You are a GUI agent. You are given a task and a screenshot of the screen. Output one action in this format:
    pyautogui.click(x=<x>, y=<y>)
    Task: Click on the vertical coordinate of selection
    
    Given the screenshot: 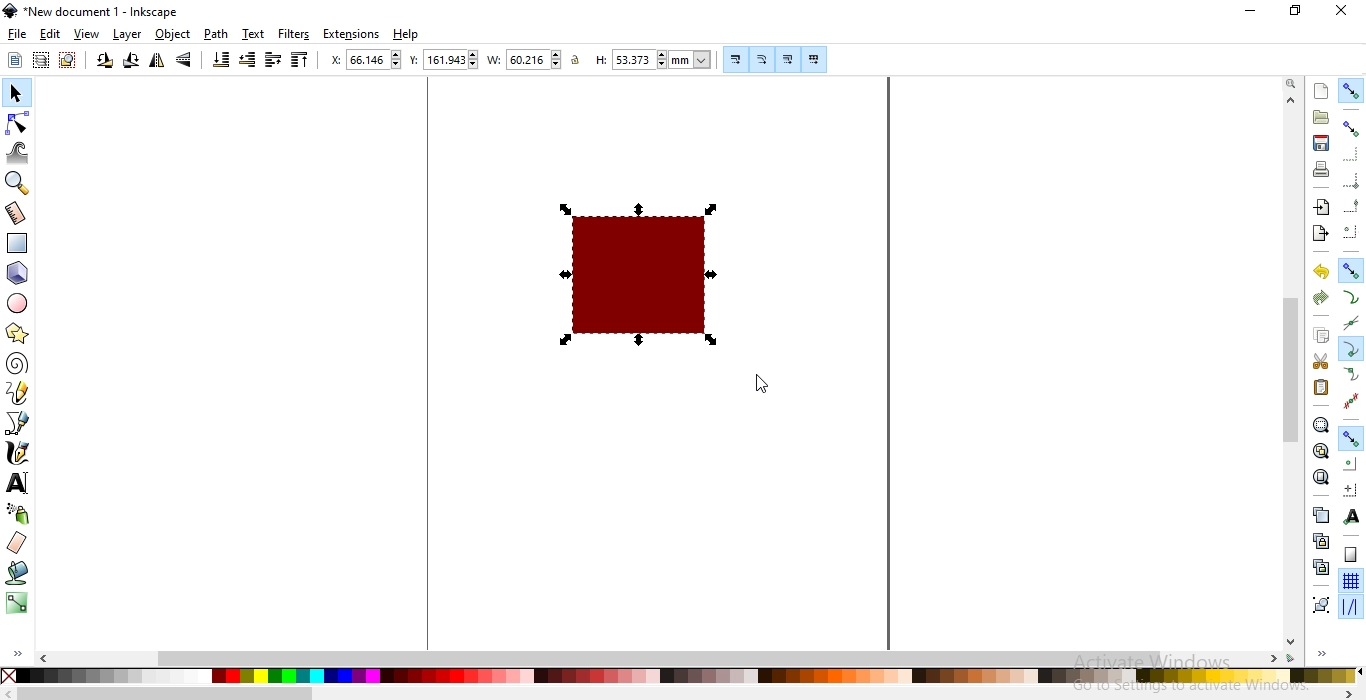 What is the action you would take?
    pyautogui.click(x=414, y=60)
    